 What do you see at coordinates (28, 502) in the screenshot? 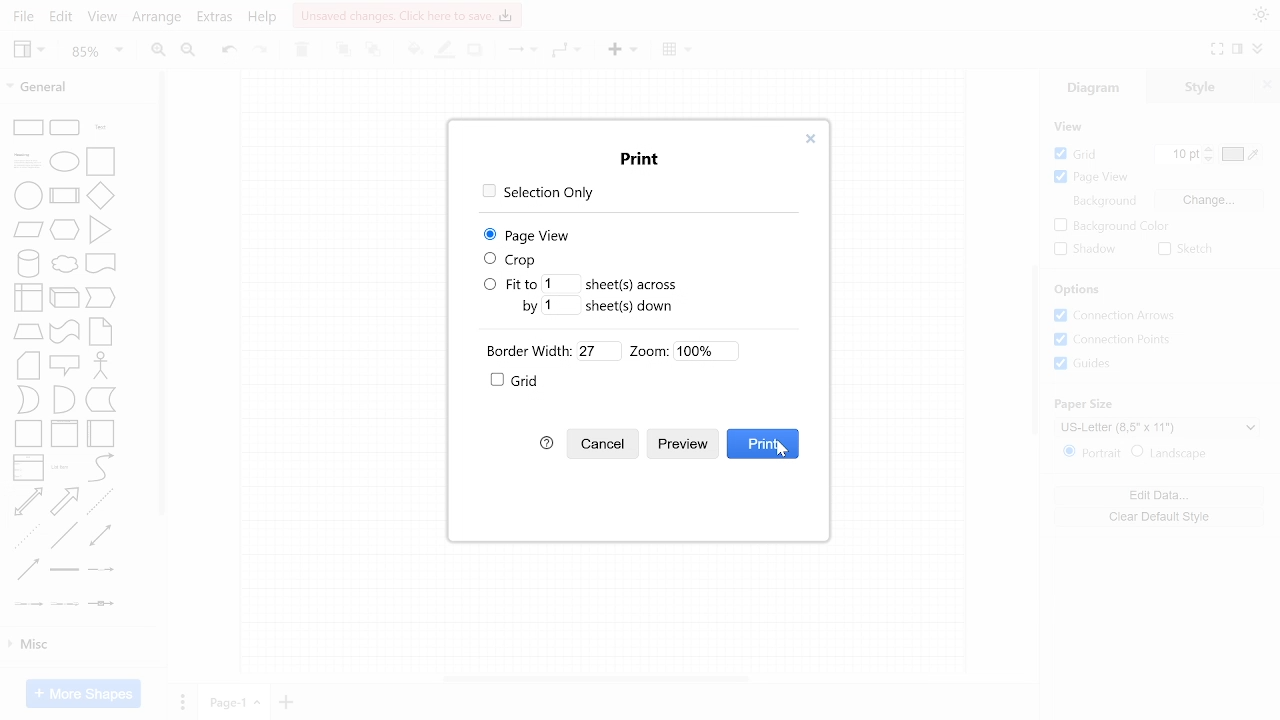
I see `Bidirectional arrow` at bounding box center [28, 502].